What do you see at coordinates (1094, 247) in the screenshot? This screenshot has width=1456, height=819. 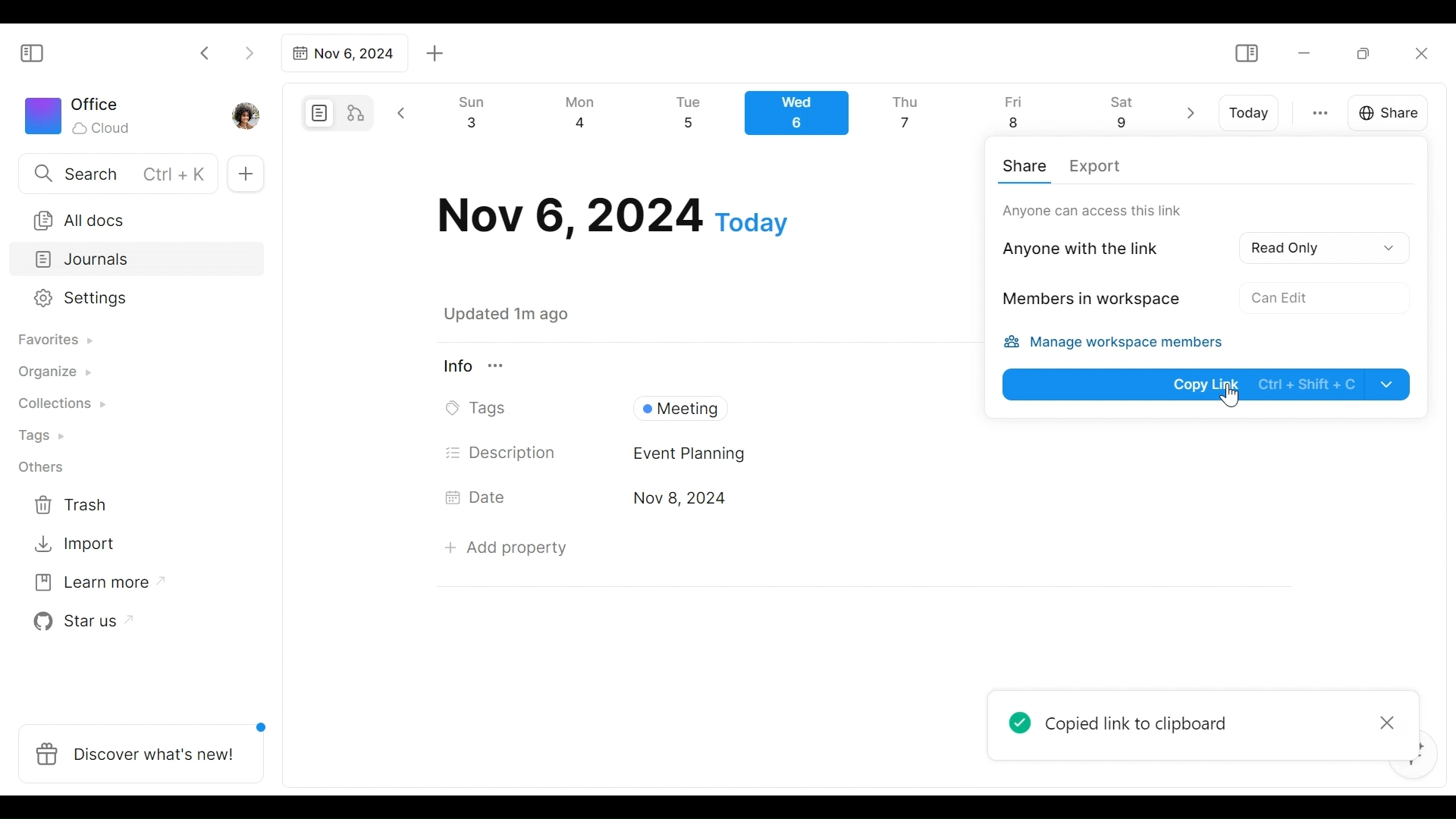 I see `Anyone with thelink` at bounding box center [1094, 247].